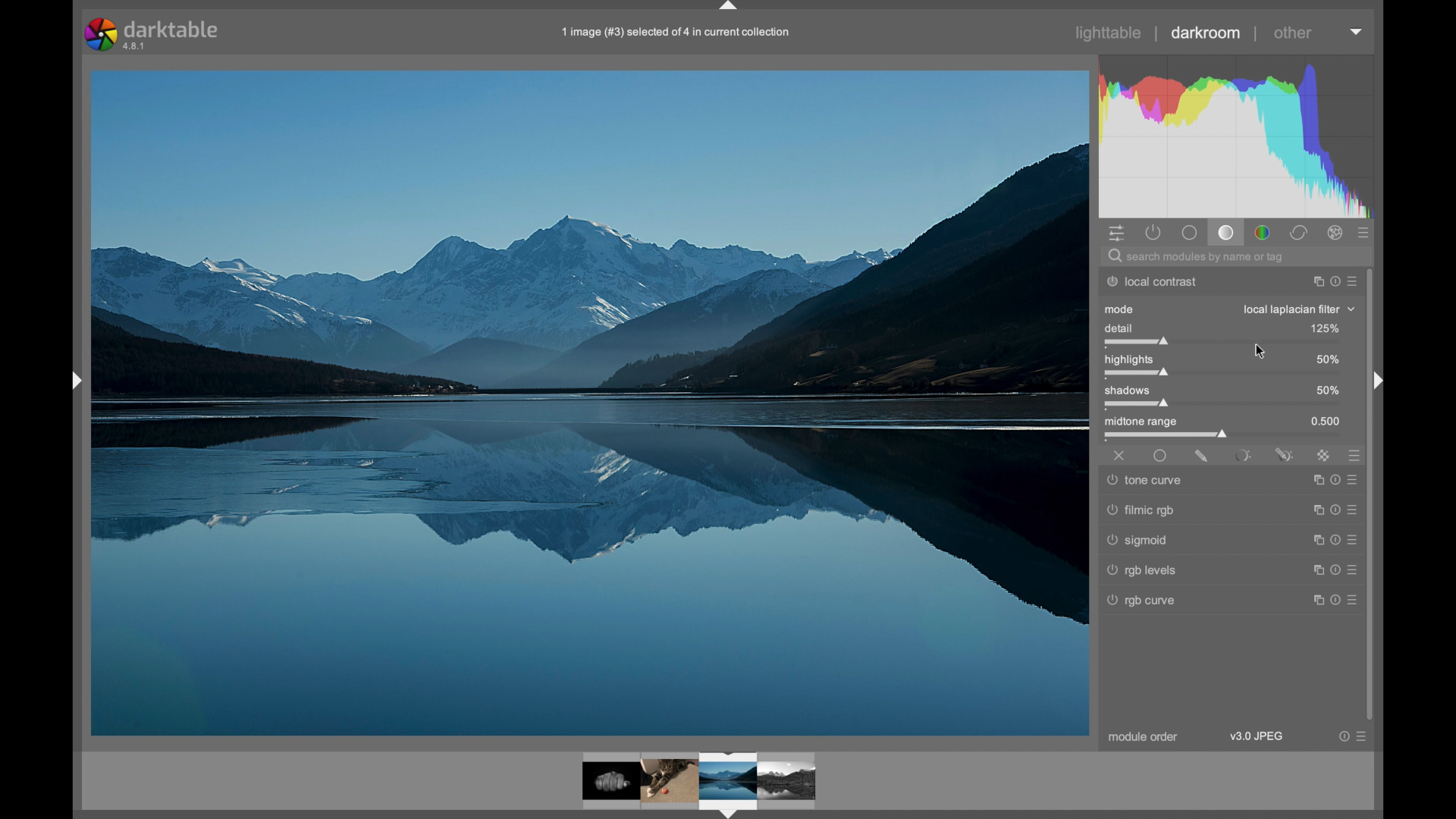 This screenshot has width=1456, height=819. Describe the element at coordinates (1241, 455) in the screenshot. I see `parametric mask` at that location.